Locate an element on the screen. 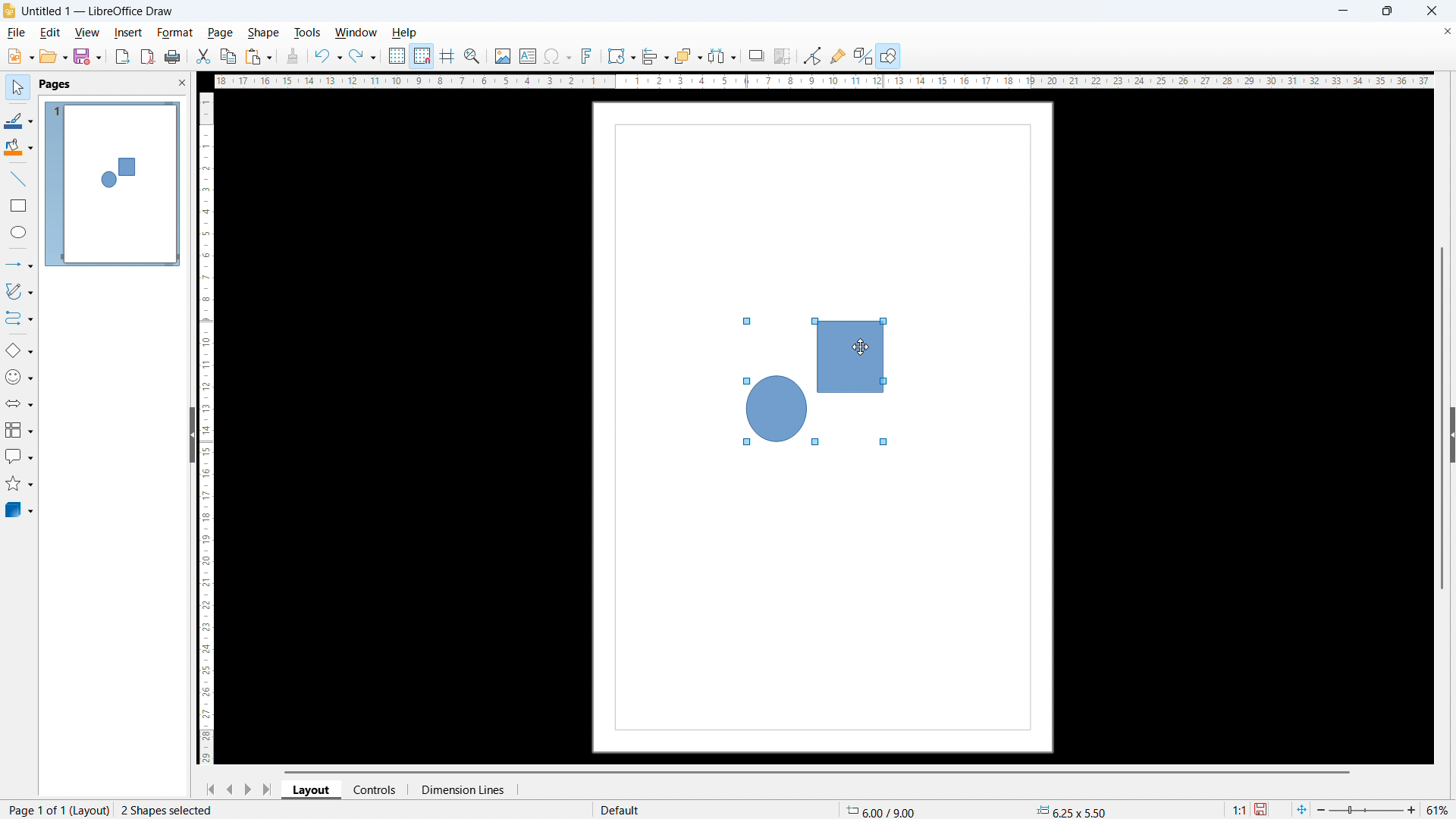 This screenshot has width=1456, height=819. hide pane is located at coordinates (193, 435).